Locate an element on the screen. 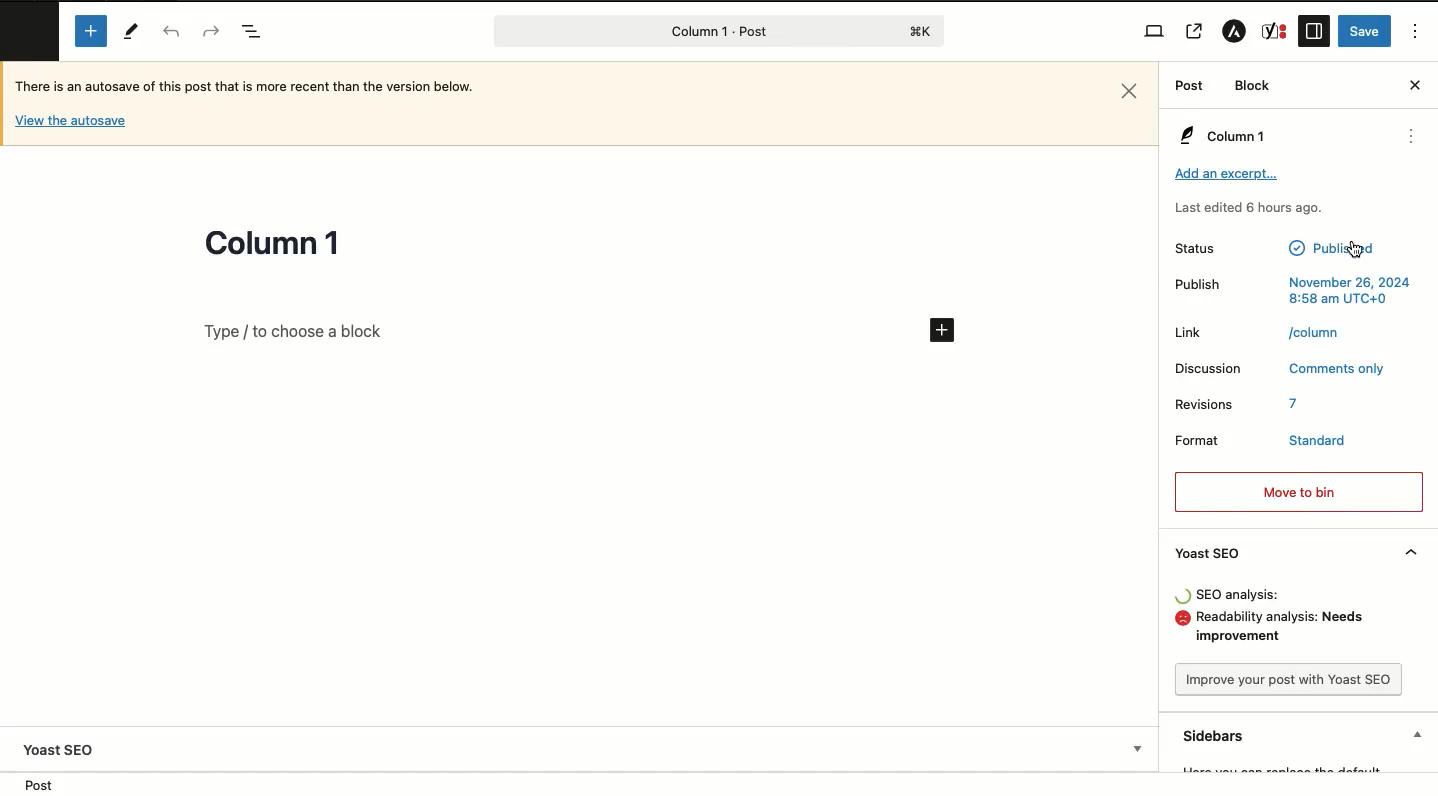 This screenshot has height=796, width=1438. Yoast is located at coordinates (1273, 30).